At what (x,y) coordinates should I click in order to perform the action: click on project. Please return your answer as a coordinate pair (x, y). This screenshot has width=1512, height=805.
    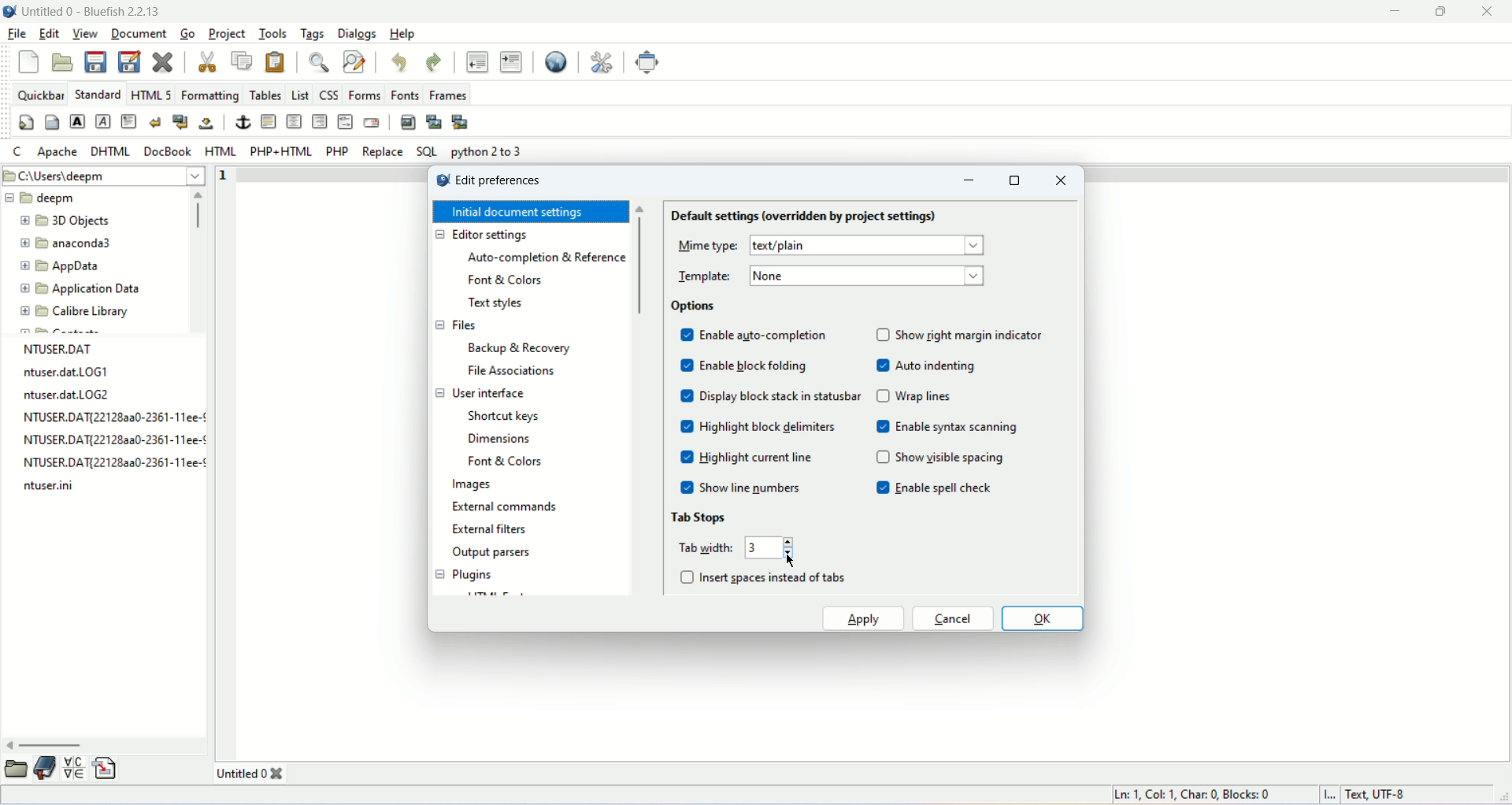
    Looking at the image, I should click on (224, 32).